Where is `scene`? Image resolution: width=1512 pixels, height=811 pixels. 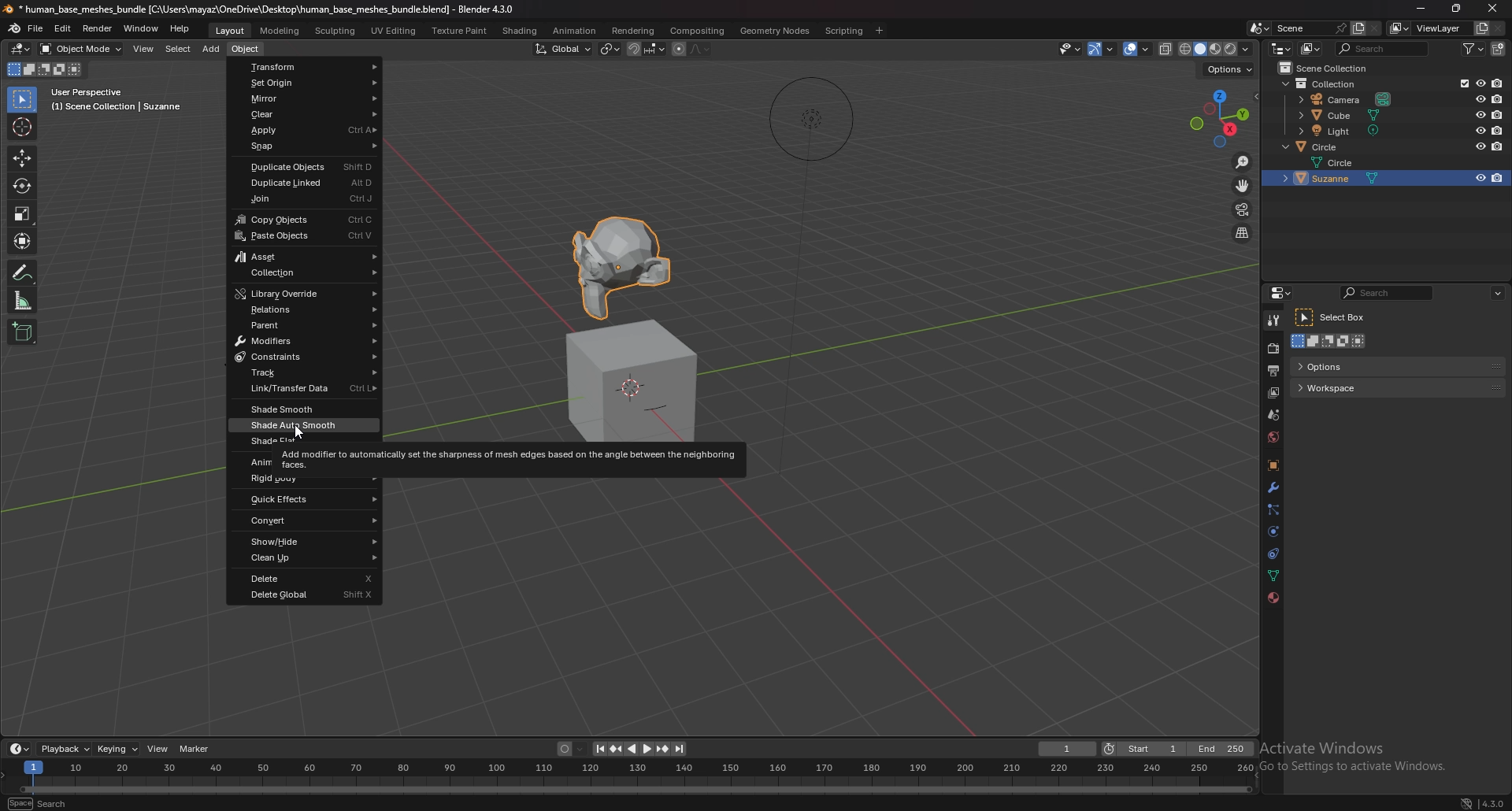 scene is located at coordinates (1296, 28).